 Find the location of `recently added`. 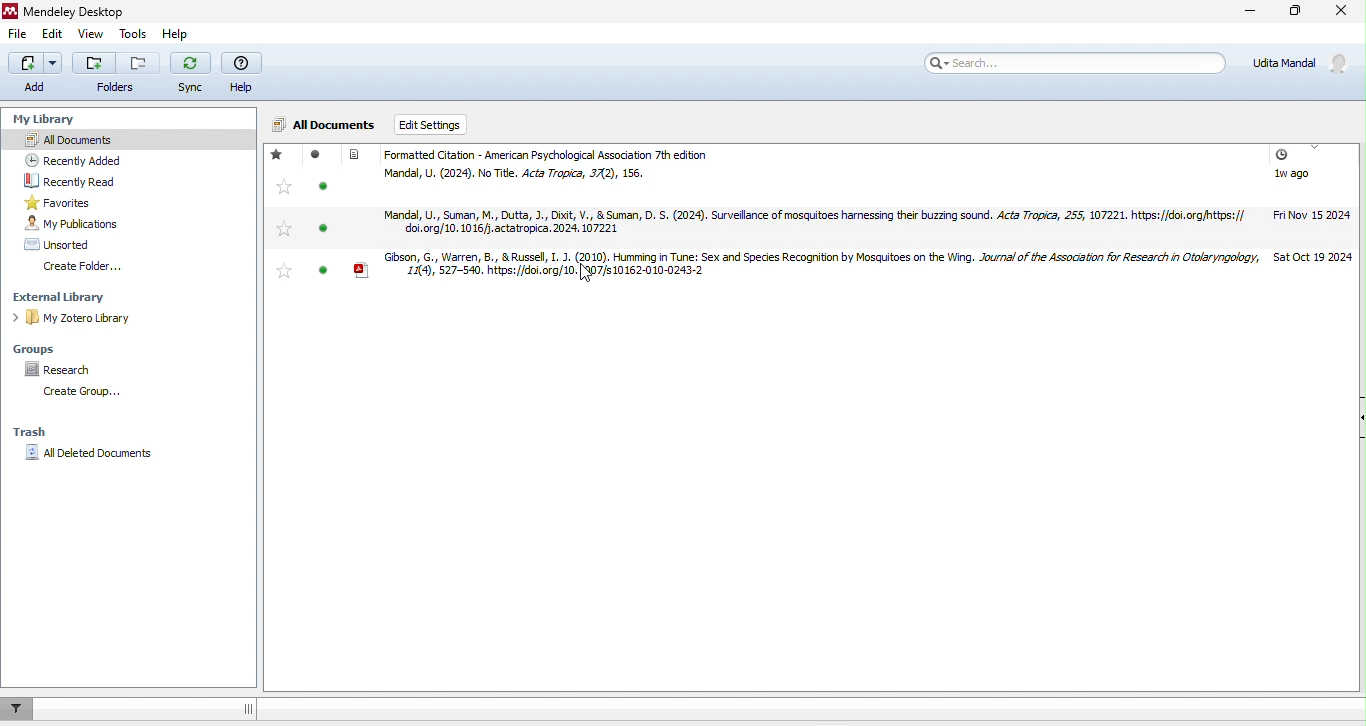

recently added is located at coordinates (86, 158).